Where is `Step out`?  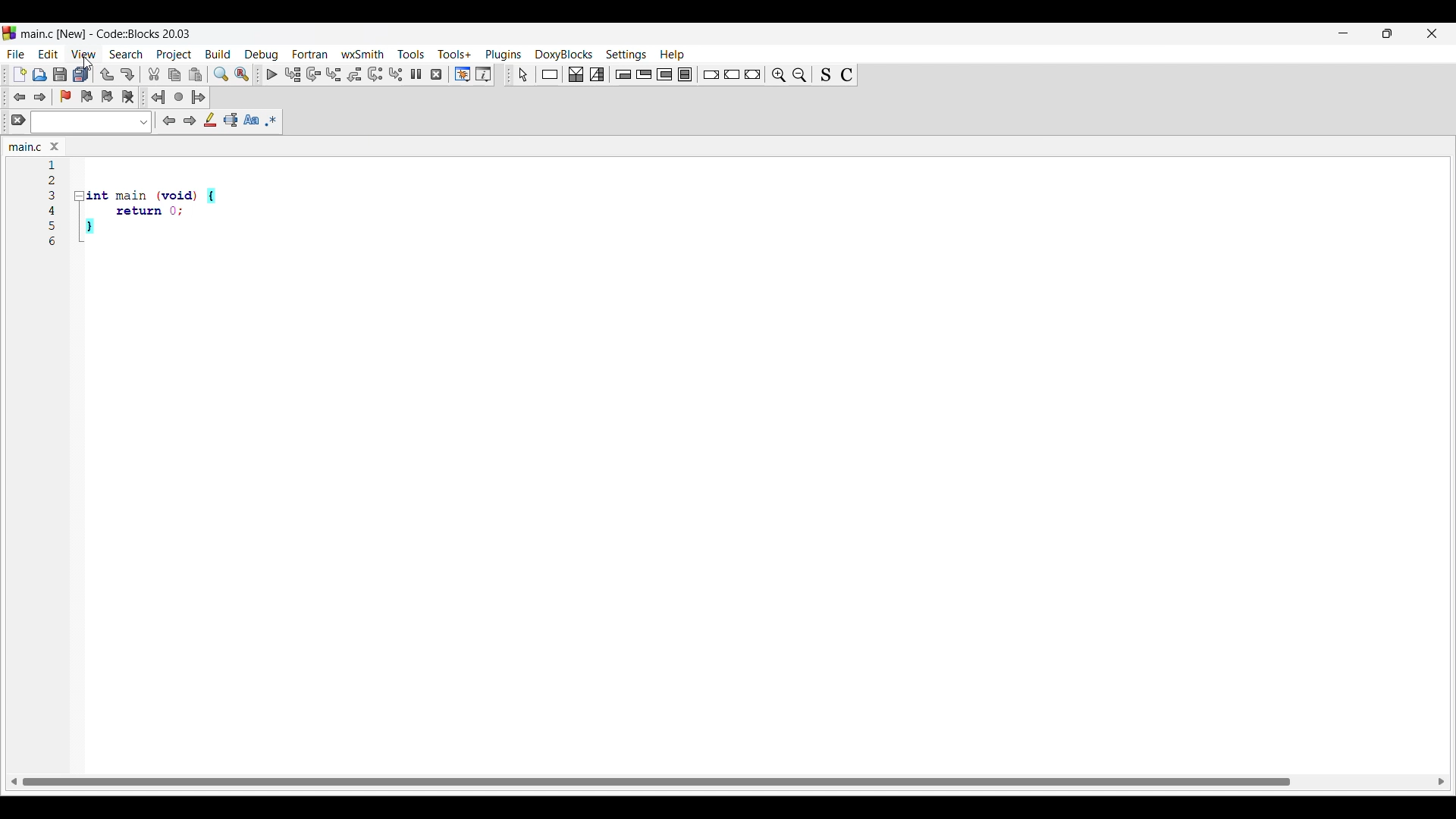 Step out is located at coordinates (354, 75).